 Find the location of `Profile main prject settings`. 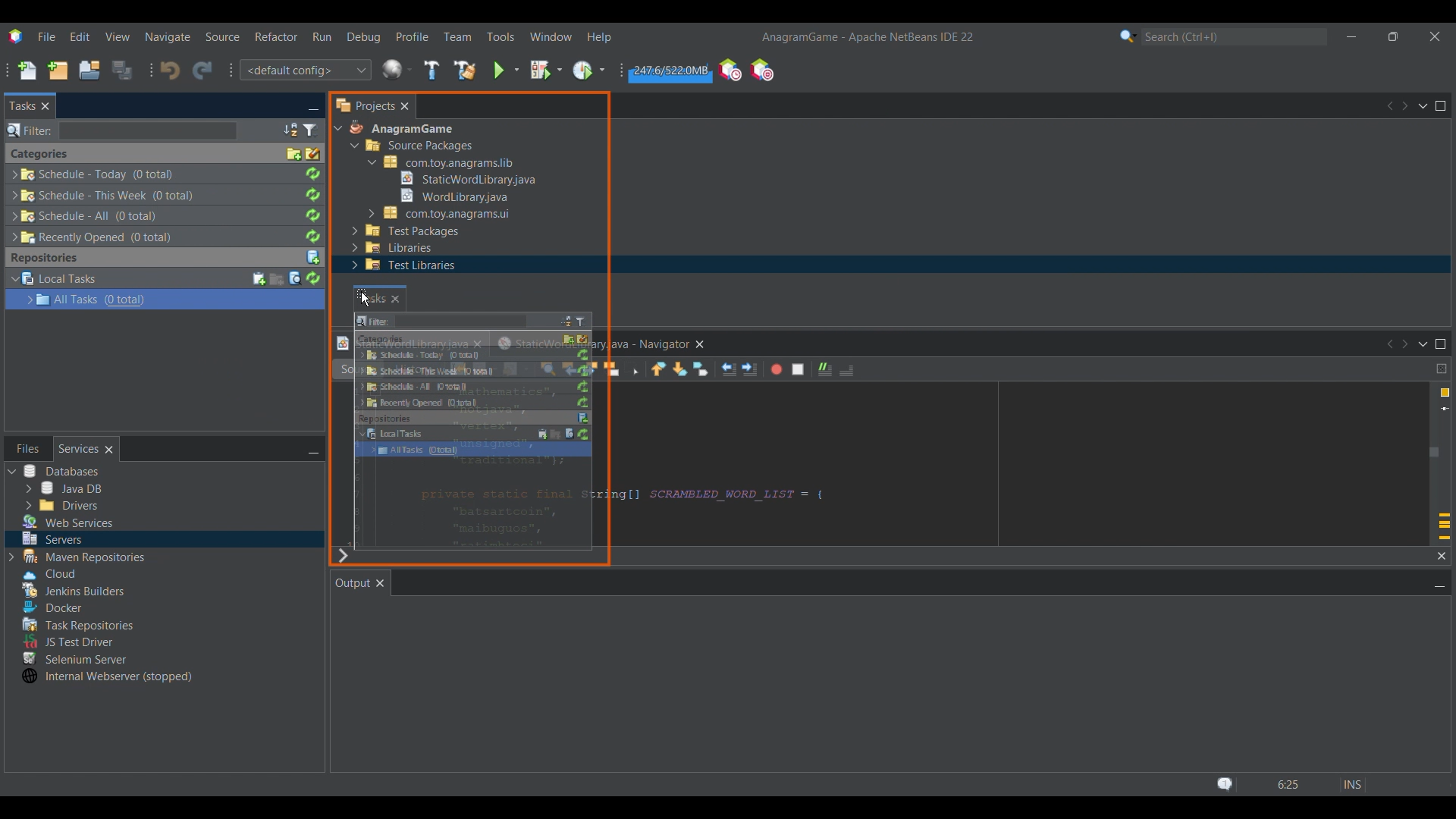

Profile main prject settings is located at coordinates (590, 70).